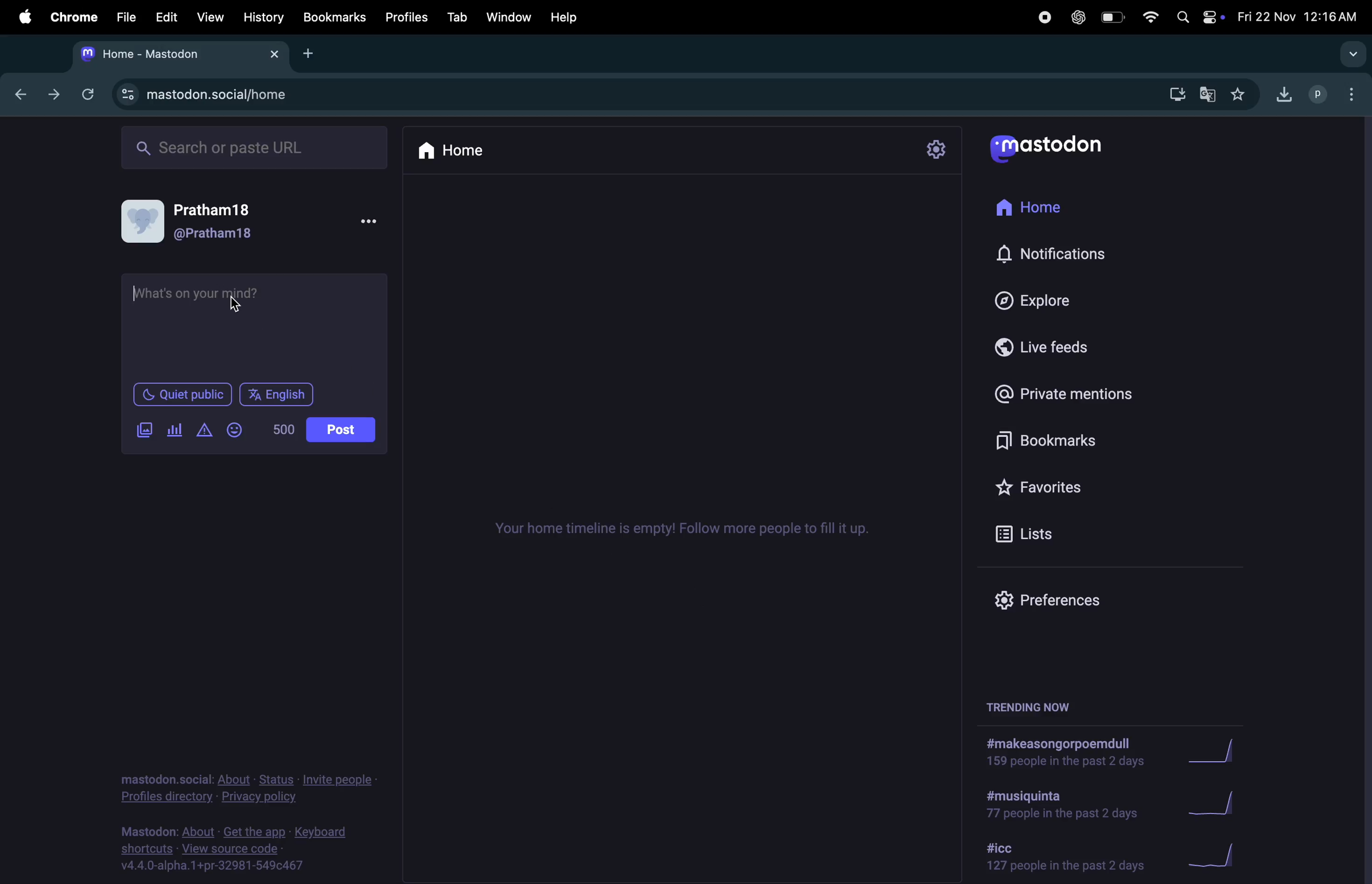 This screenshot has height=884, width=1372. I want to click on hash tag, so click(1063, 805).